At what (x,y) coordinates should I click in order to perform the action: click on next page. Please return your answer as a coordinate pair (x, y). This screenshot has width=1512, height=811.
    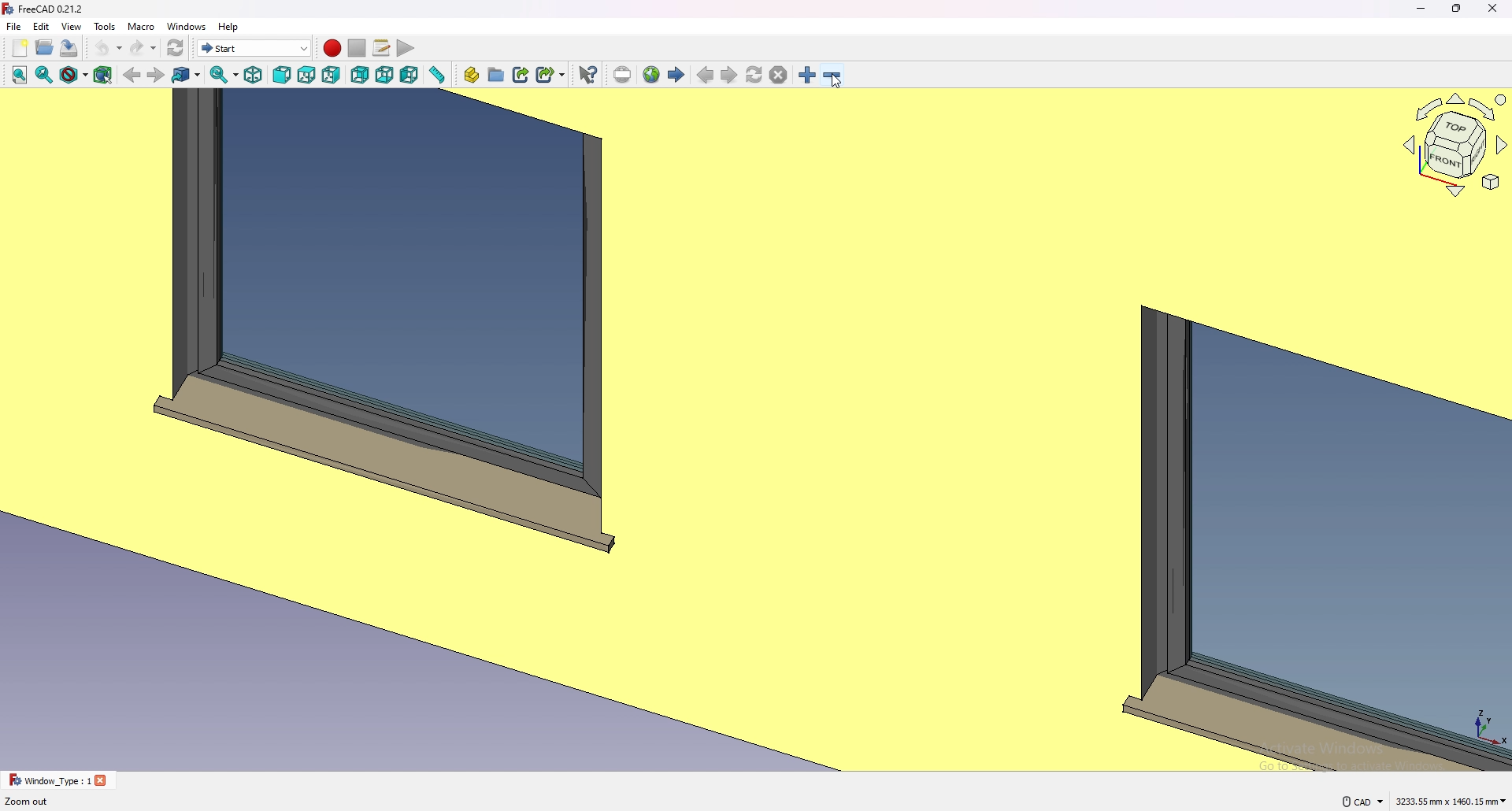
    Looking at the image, I should click on (730, 76).